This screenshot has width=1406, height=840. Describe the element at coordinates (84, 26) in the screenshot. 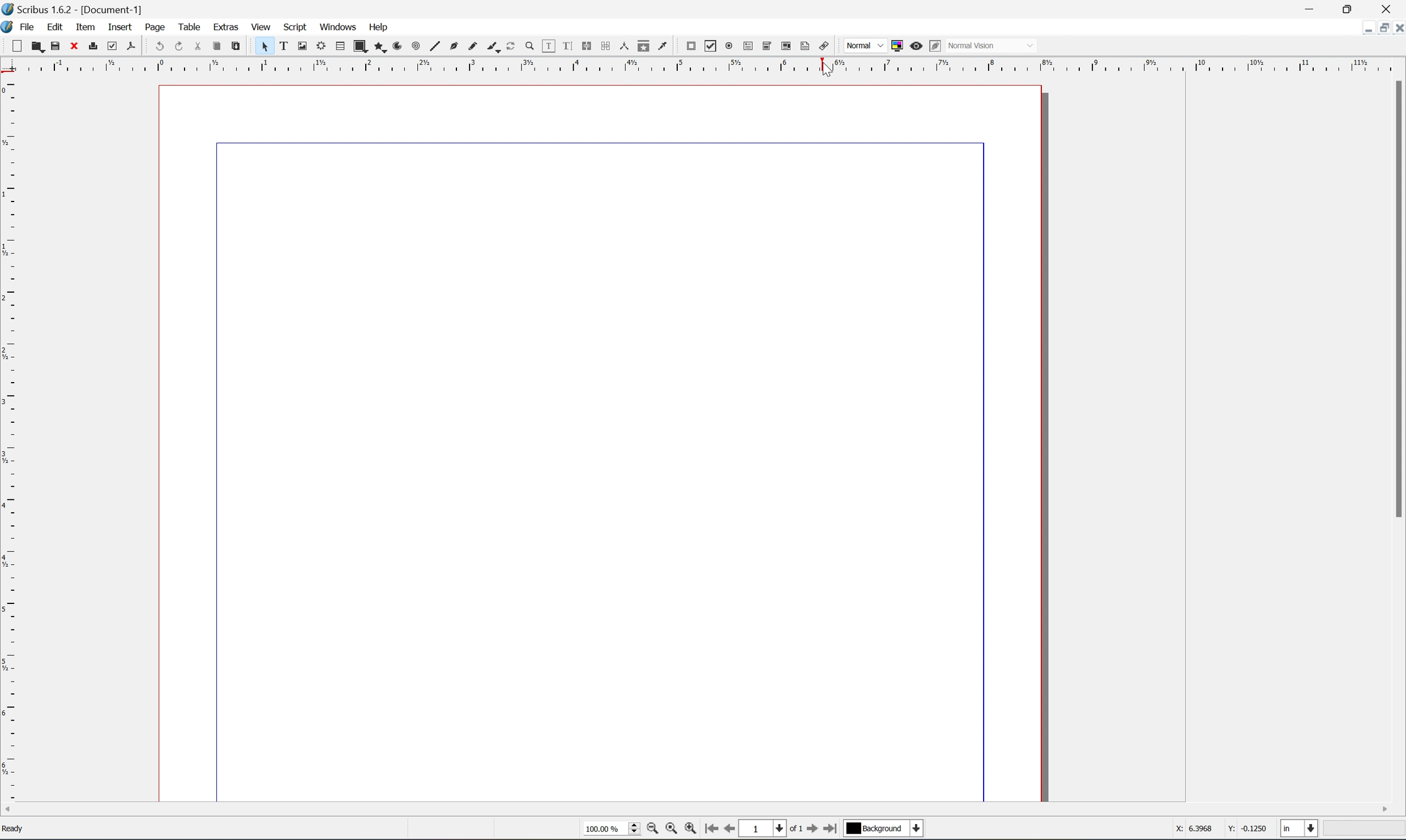

I see `item` at that location.